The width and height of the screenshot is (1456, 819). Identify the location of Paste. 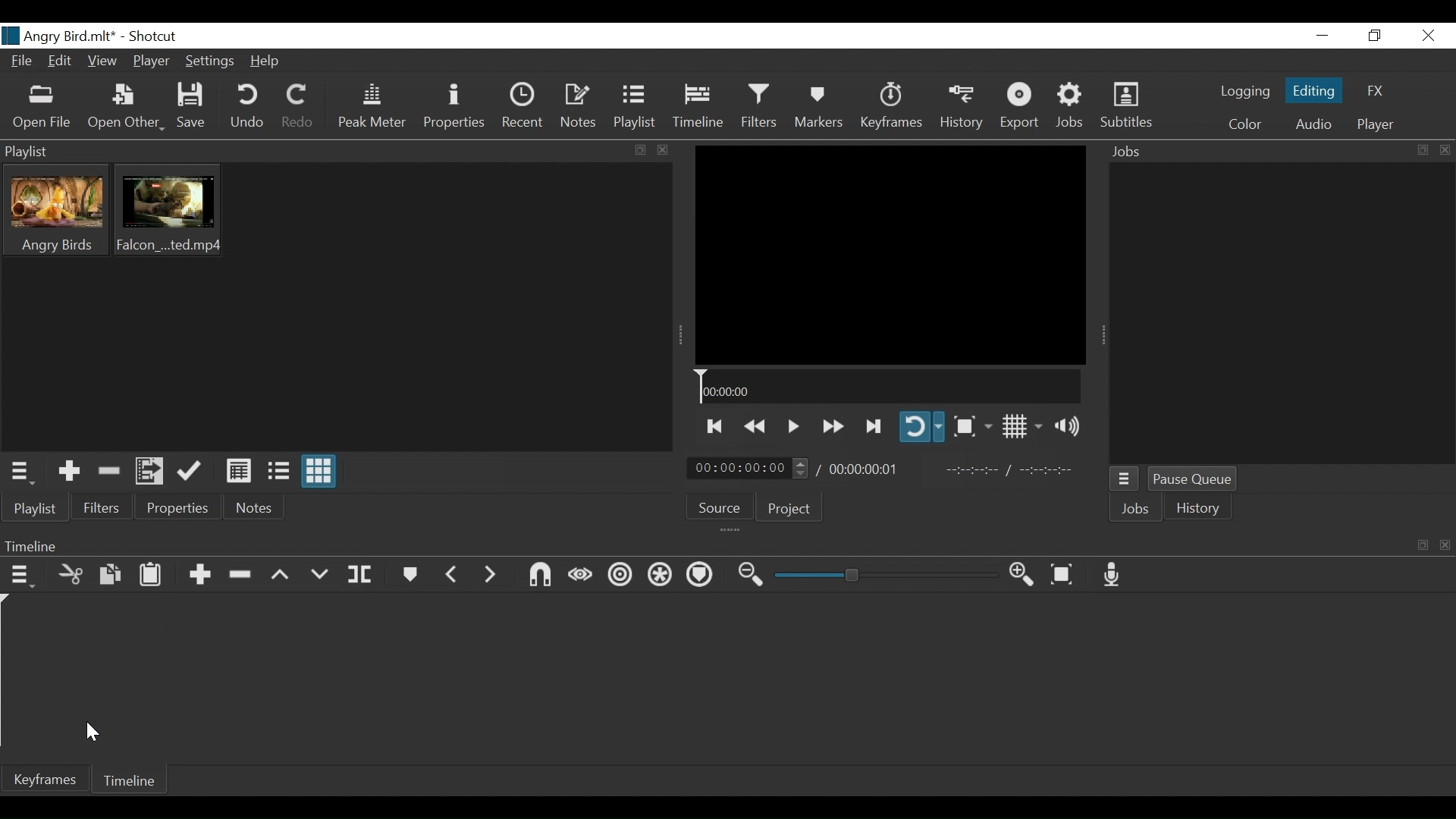
(152, 576).